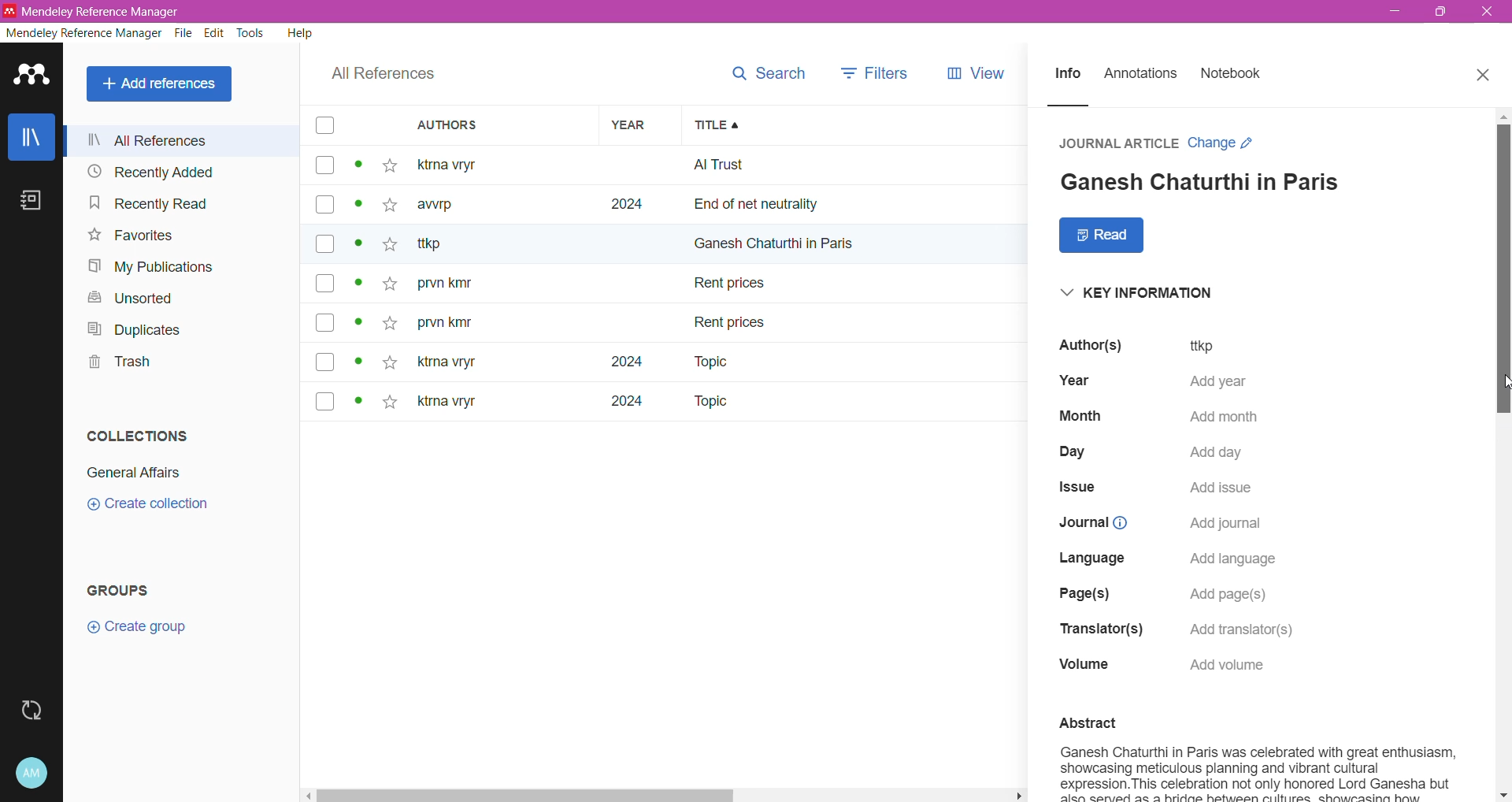 The image size is (1512, 802). Describe the element at coordinates (1102, 236) in the screenshot. I see `Click to open reading mode` at that location.